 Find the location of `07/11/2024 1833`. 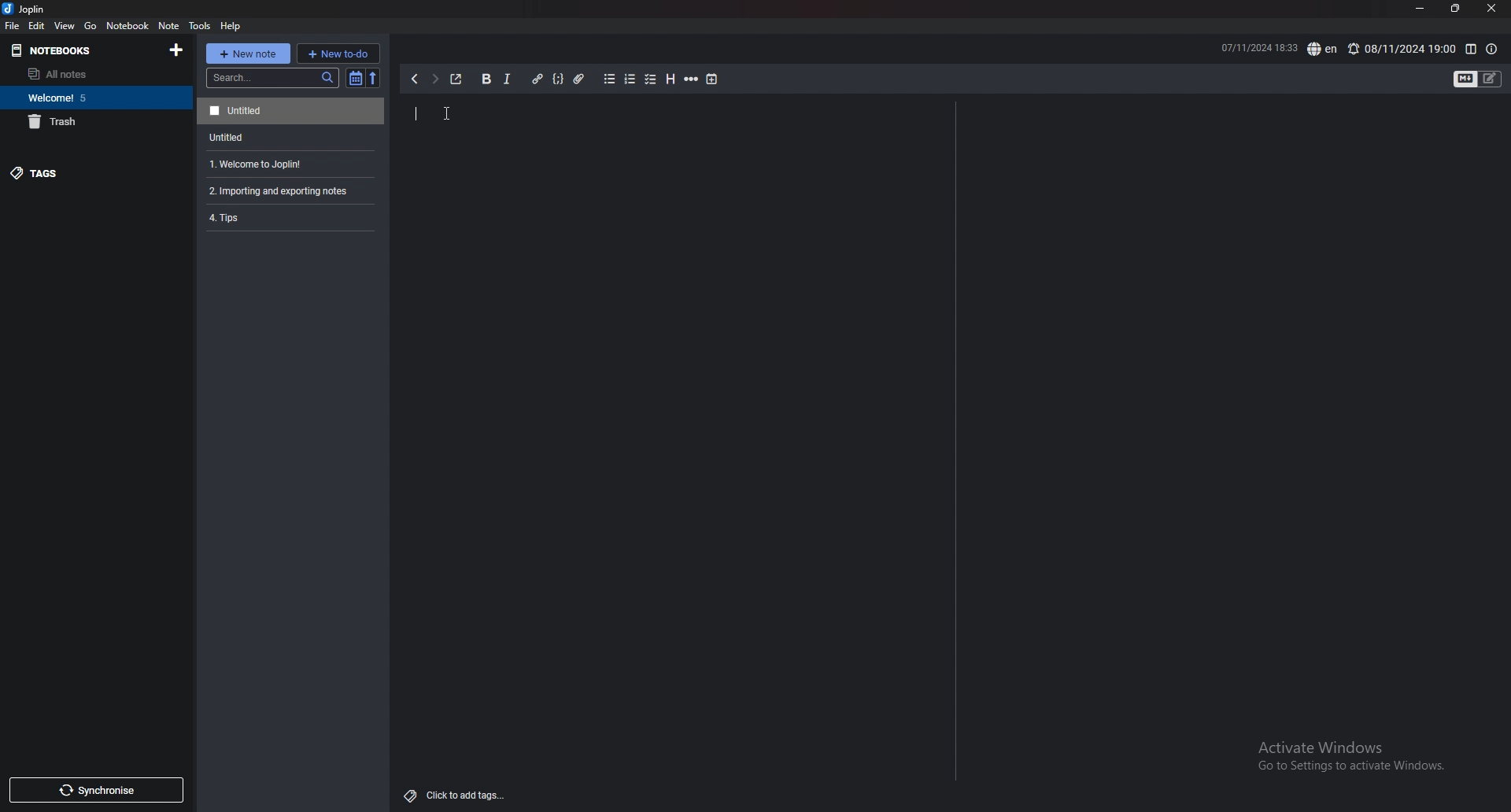

07/11/2024 1833 is located at coordinates (1258, 47).